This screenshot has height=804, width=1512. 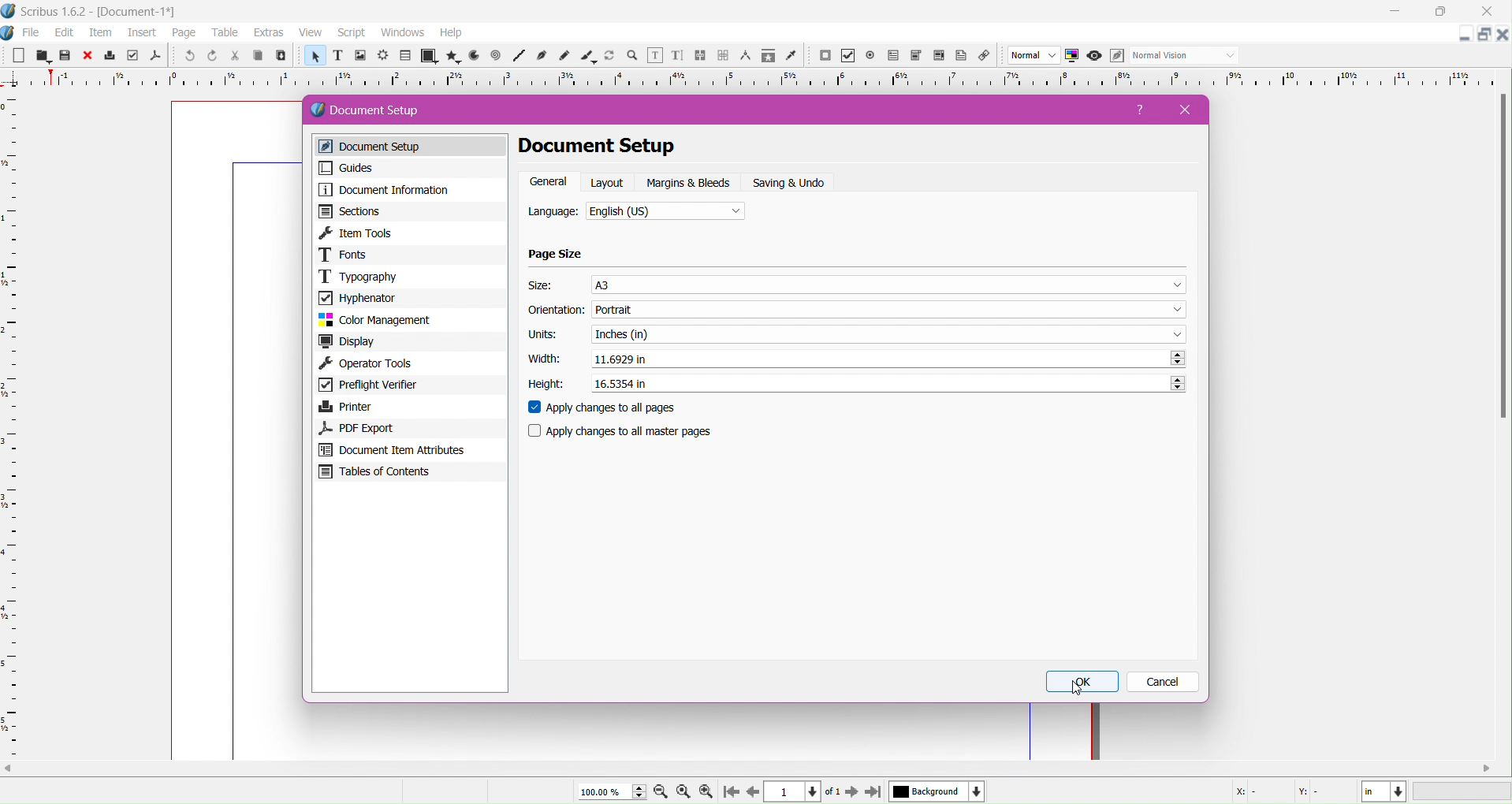 What do you see at coordinates (634, 57) in the screenshot?
I see `zoom in or out` at bounding box center [634, 57].